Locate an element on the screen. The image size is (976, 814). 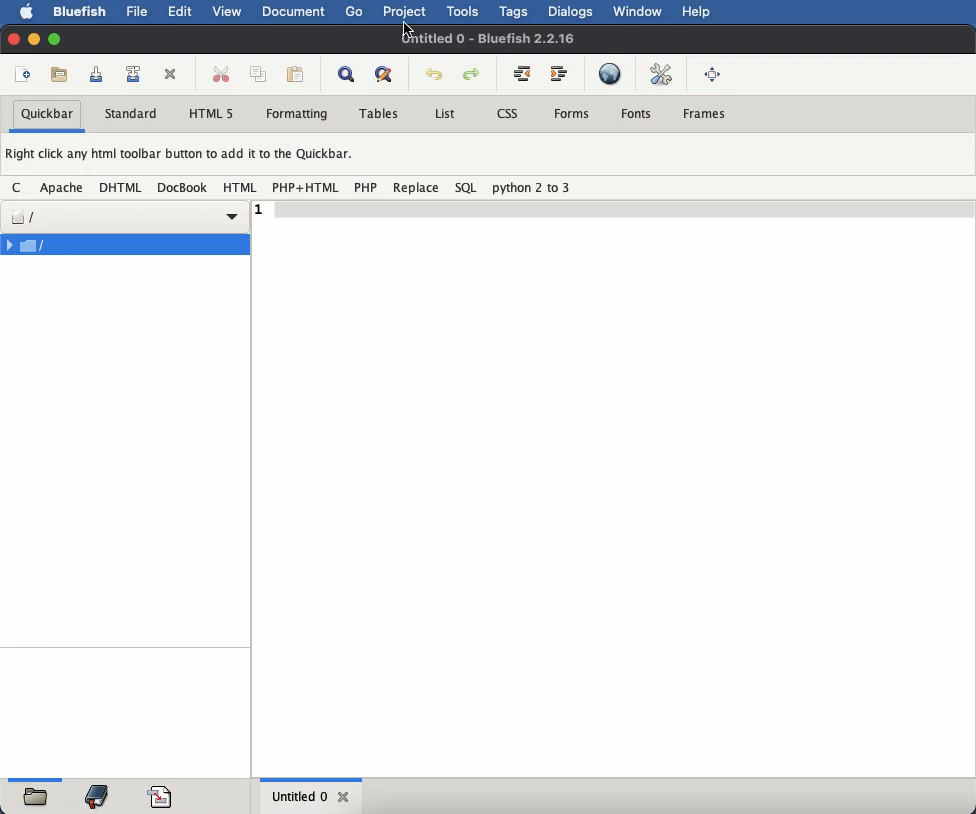
undo is located at coordinates (434, 75).